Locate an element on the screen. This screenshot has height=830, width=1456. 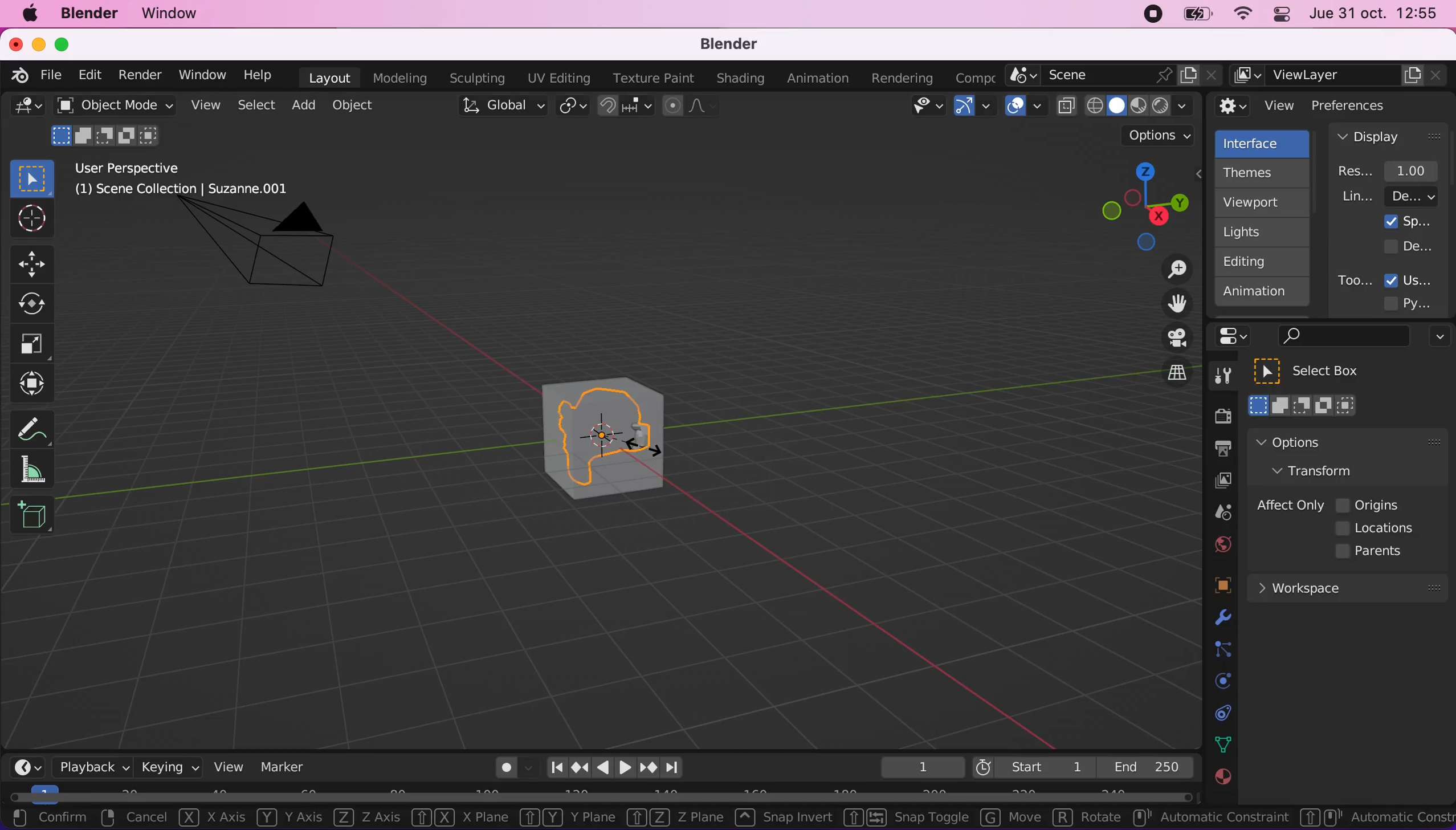
z axis is located at coordinates (362, 819).